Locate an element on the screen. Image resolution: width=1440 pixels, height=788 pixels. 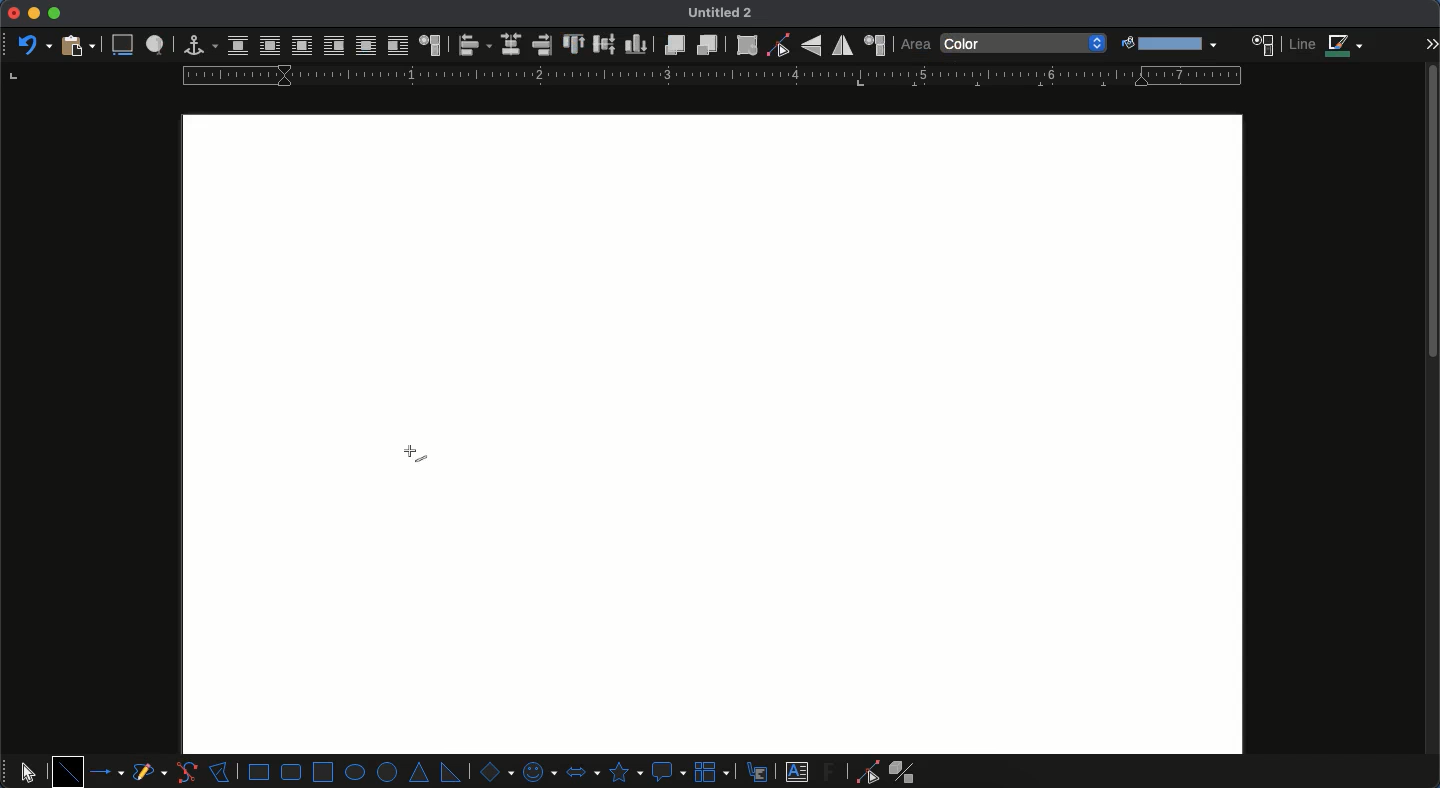
rotate is located at coordinates (747, 45).